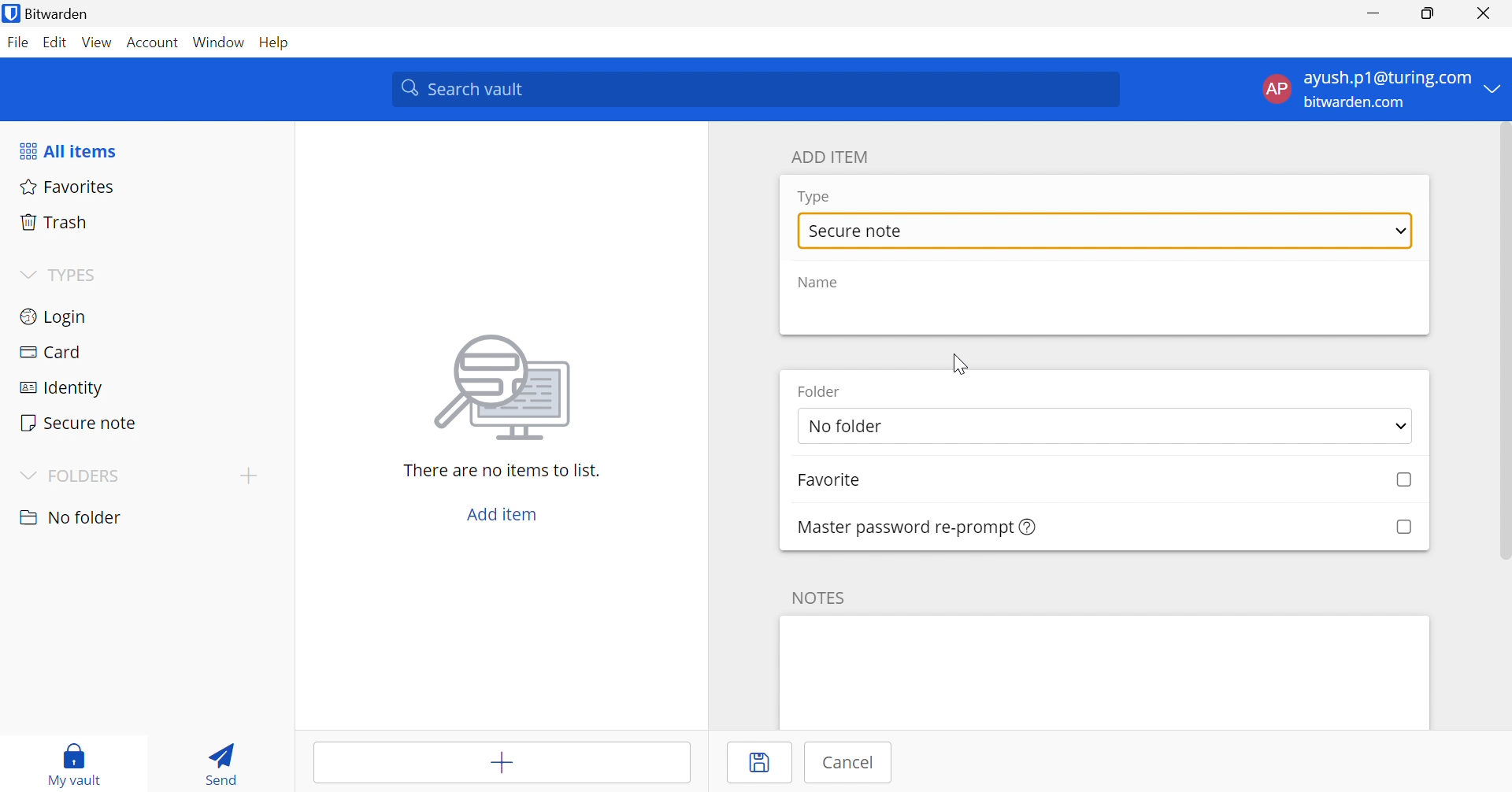  What do you see at coordinates (819, 393) in the screenshot?
I see `Folder` at bounding box center [819, 393].